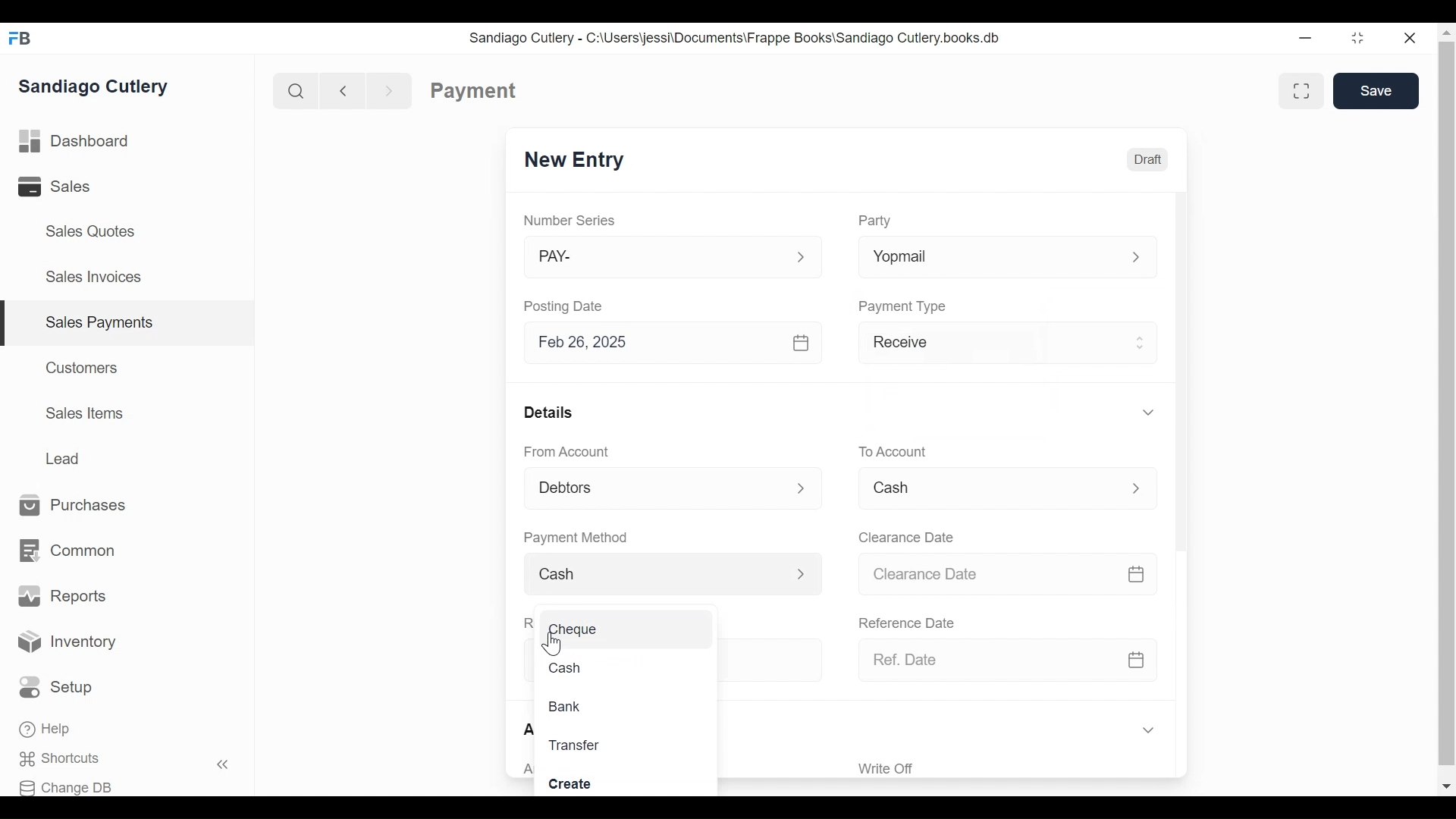 The height and width of the screenshot is (819, 1456). What do you see at coordinates (906, 621) in the screenshot?
I see `Reference Date` at bounding box center [906, 621].